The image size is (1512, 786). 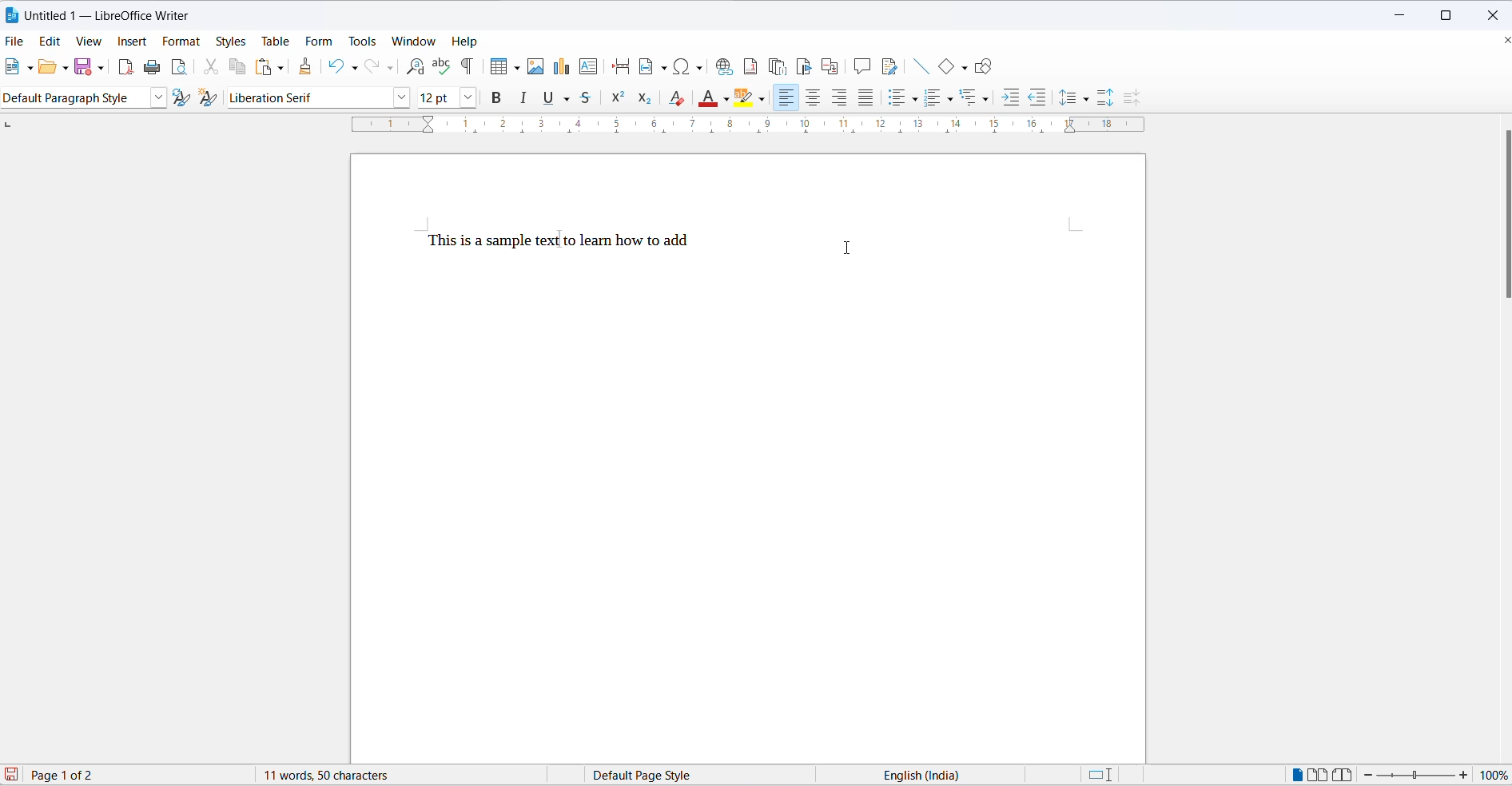 What do you see at coordinates (441, 65) in the screenshot?
I see `spellings` at bounding box center [441, 65].